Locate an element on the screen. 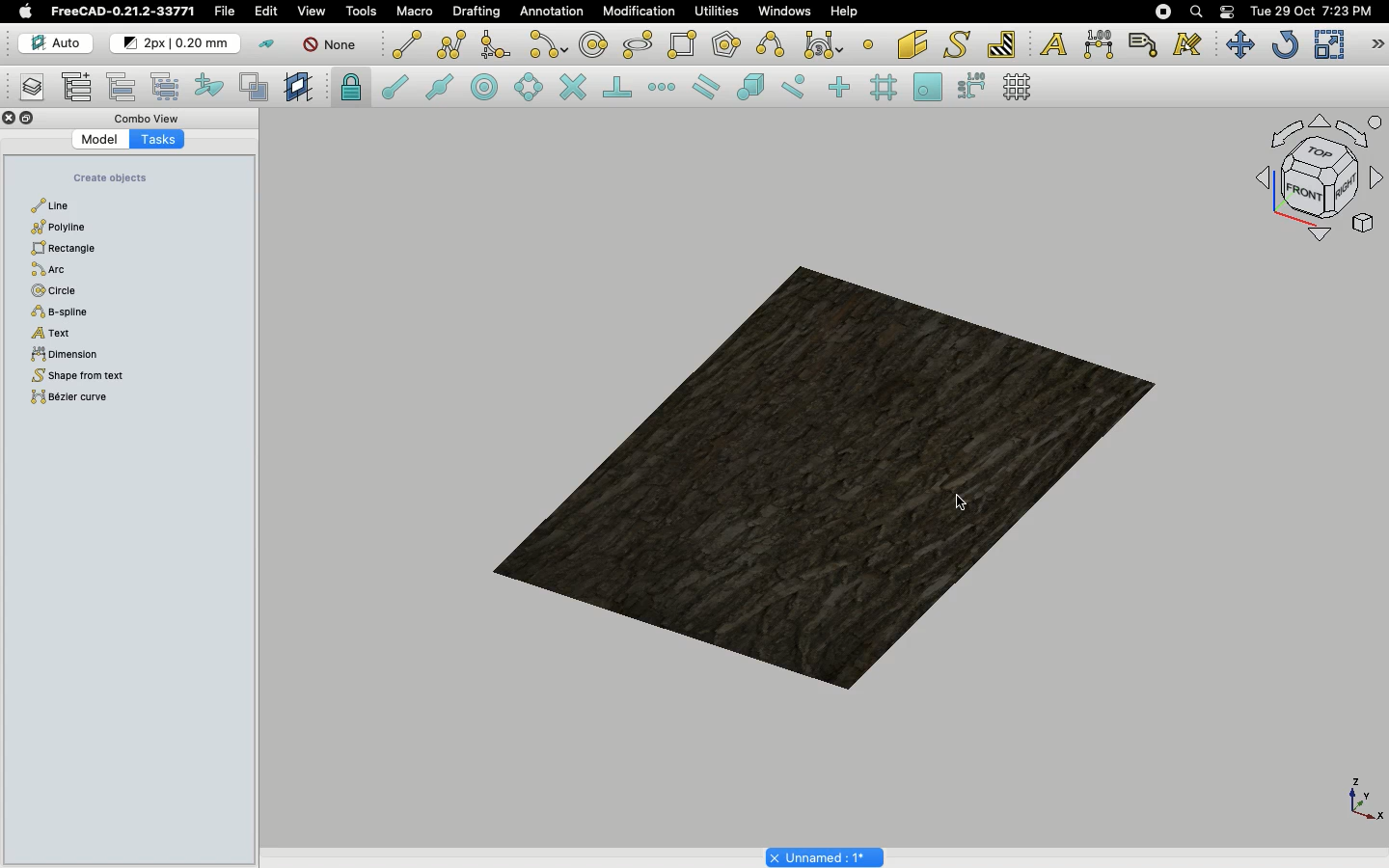  Refresh is located at coordinates (1284, 44).